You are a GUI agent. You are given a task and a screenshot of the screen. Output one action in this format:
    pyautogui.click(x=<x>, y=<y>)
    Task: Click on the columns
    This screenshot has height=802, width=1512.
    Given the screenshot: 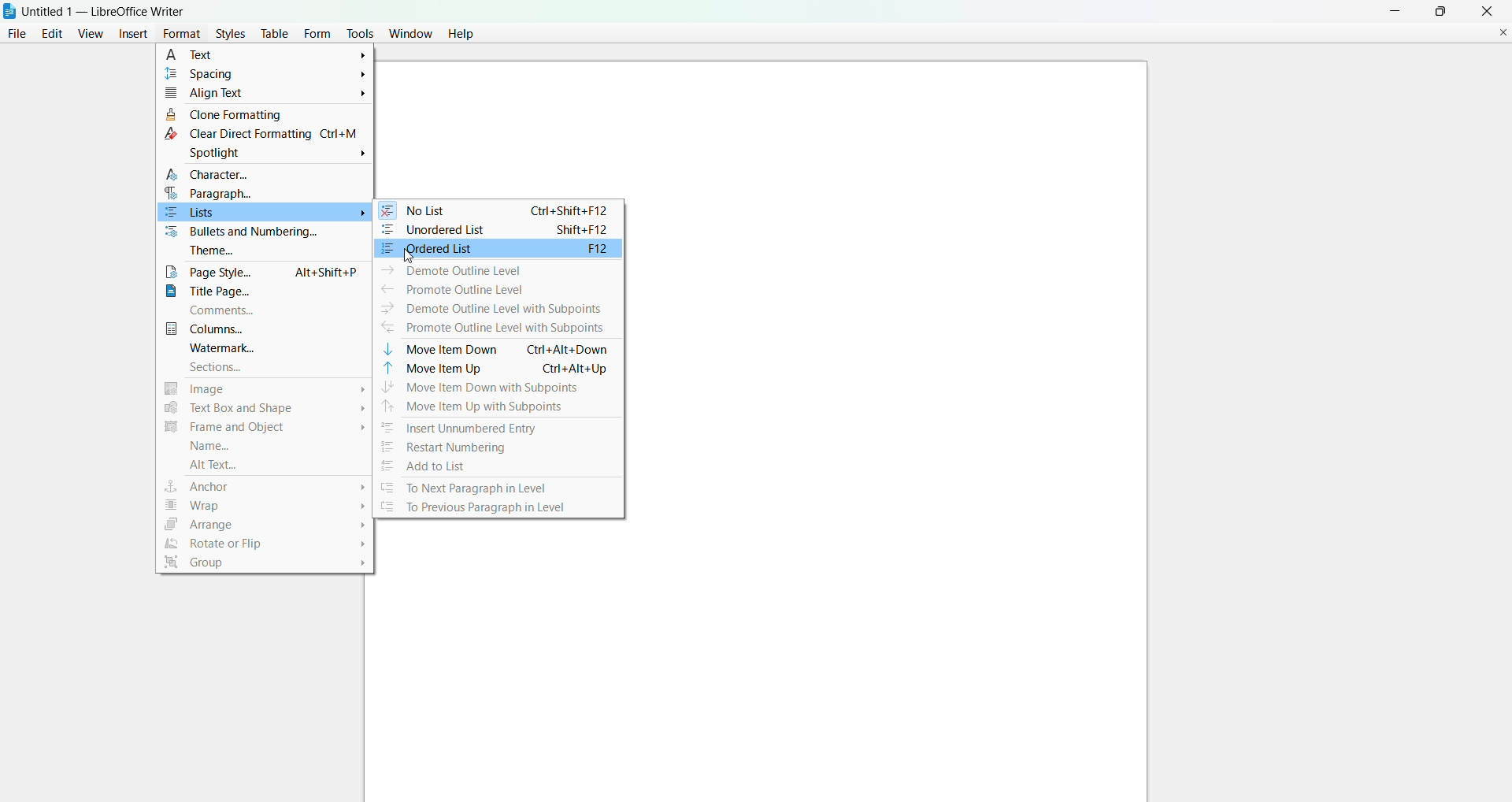 What is the action you would take?
    pyautogui.click(x=206, y=330)
    